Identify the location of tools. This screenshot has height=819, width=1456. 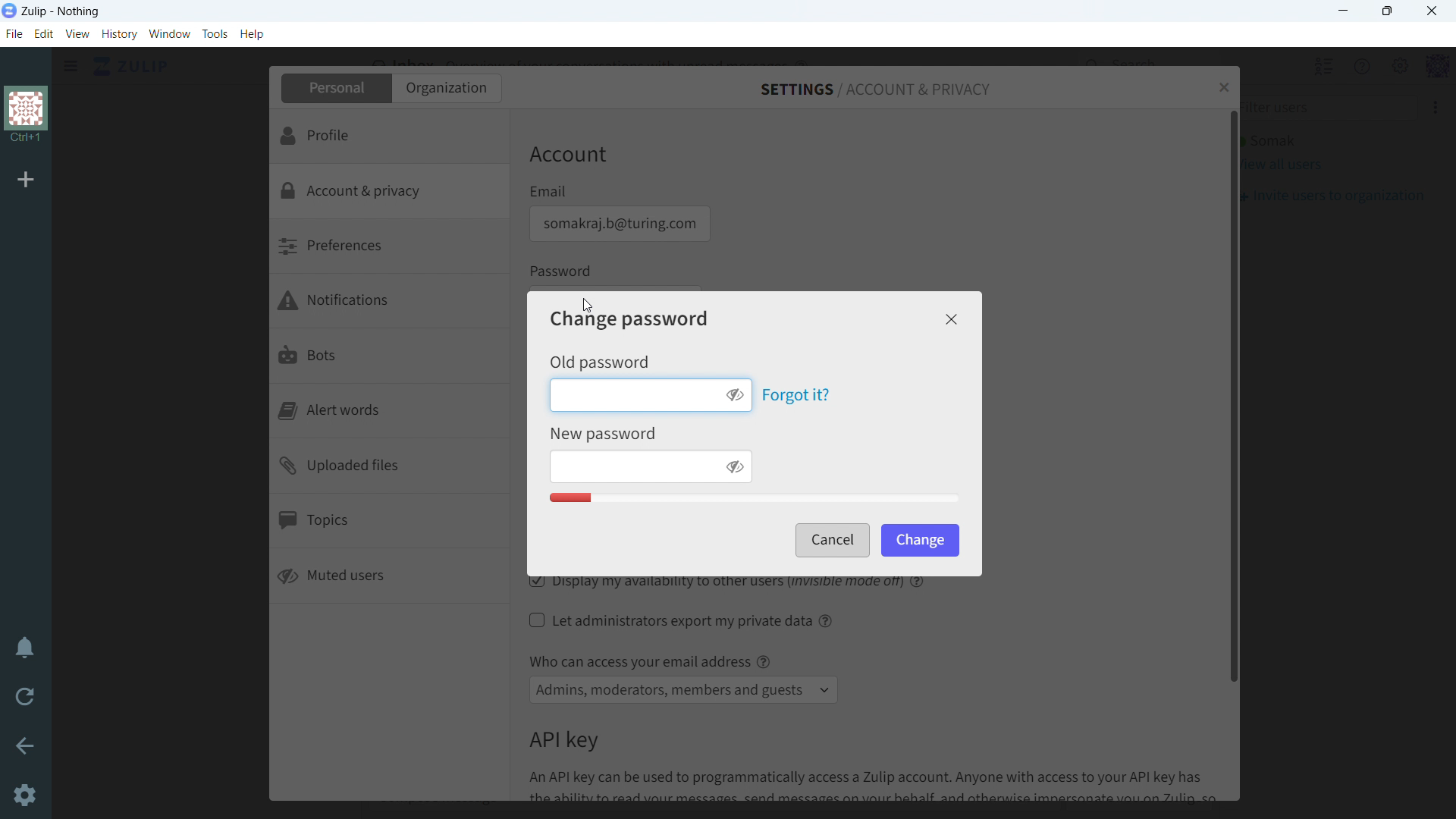
(215, 33).